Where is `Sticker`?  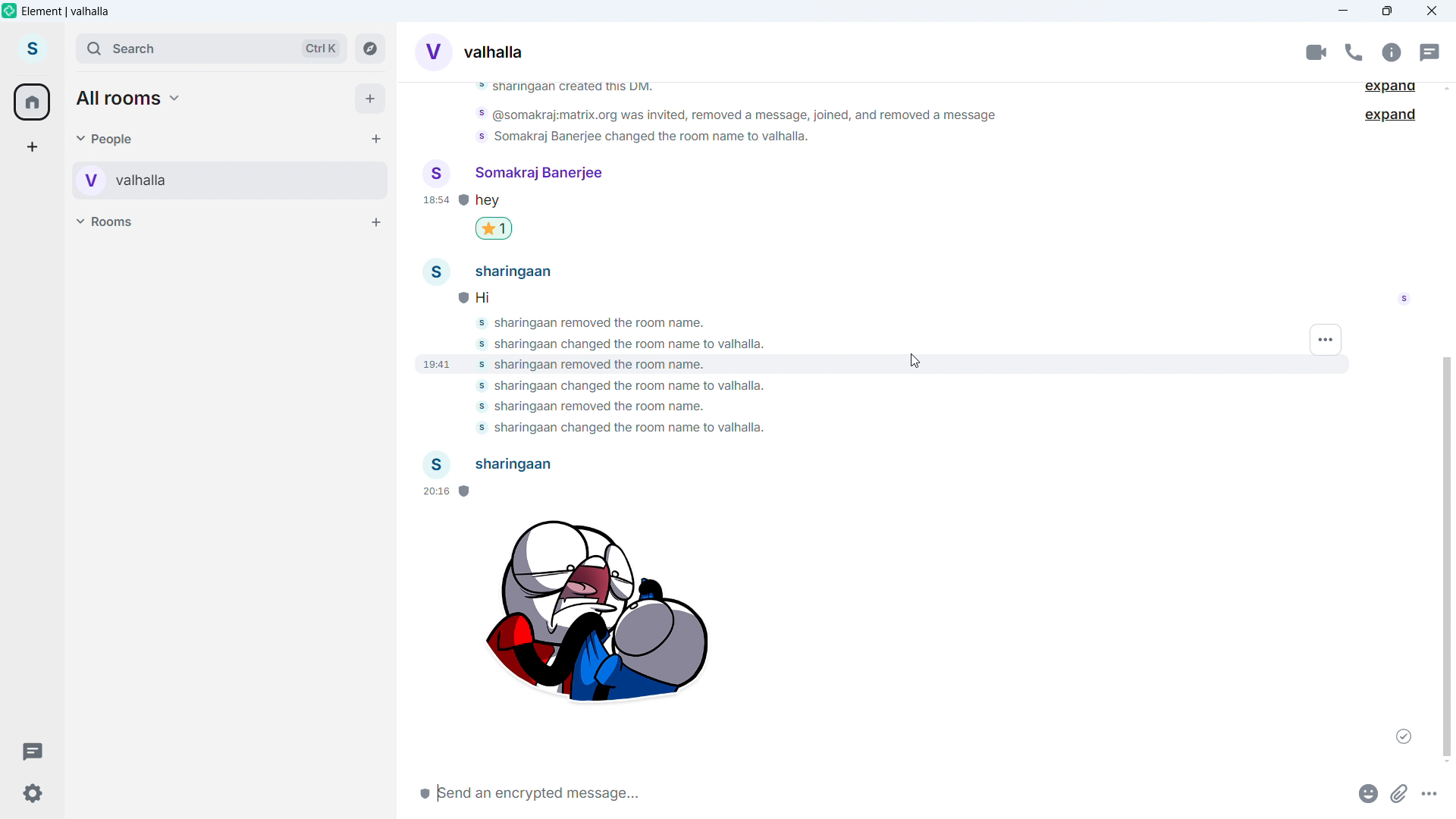
Sticker is located at coordinates (595, 617).